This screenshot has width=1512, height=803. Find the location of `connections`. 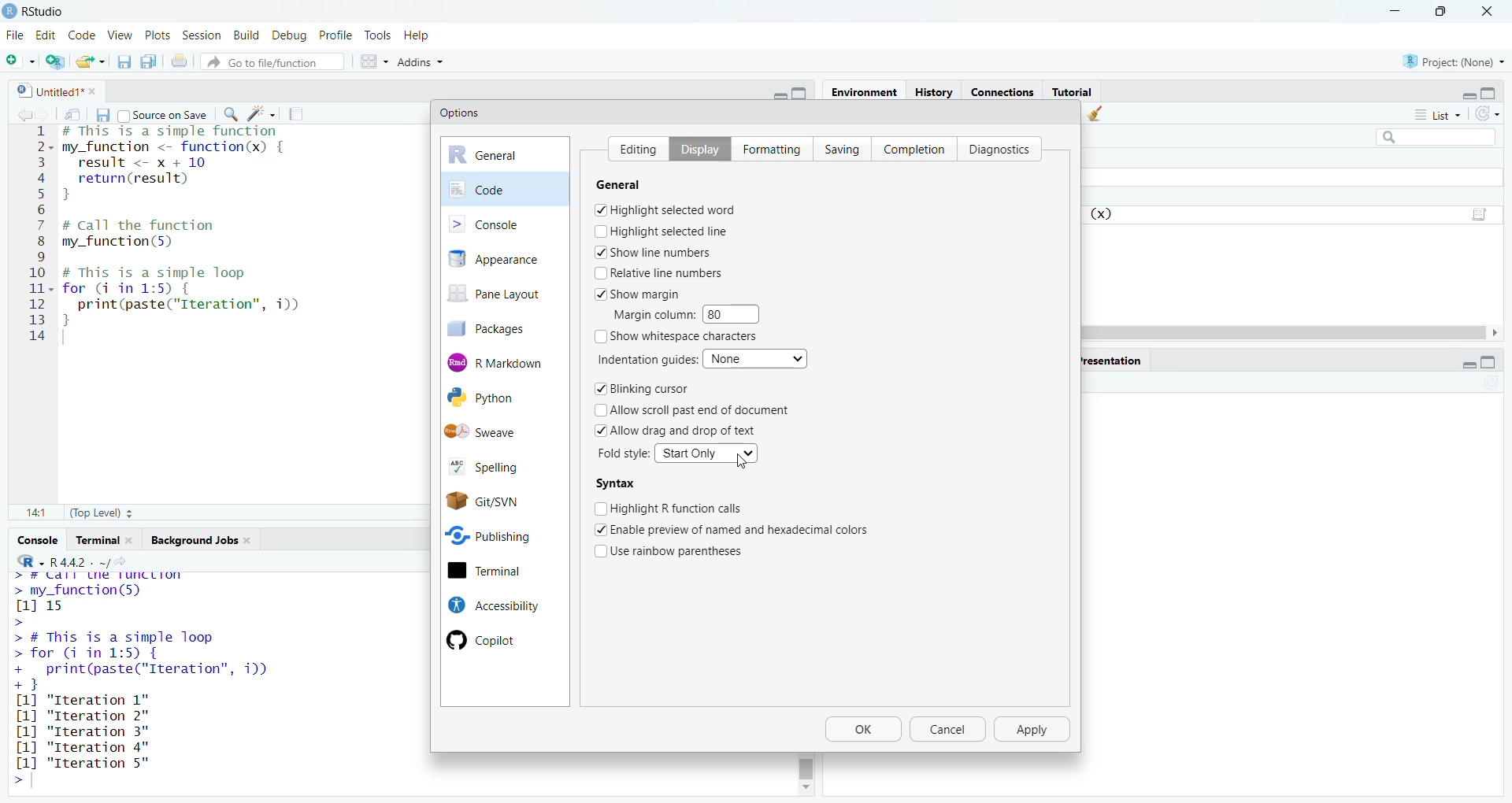

connections is located at coordinates (1001, 90).